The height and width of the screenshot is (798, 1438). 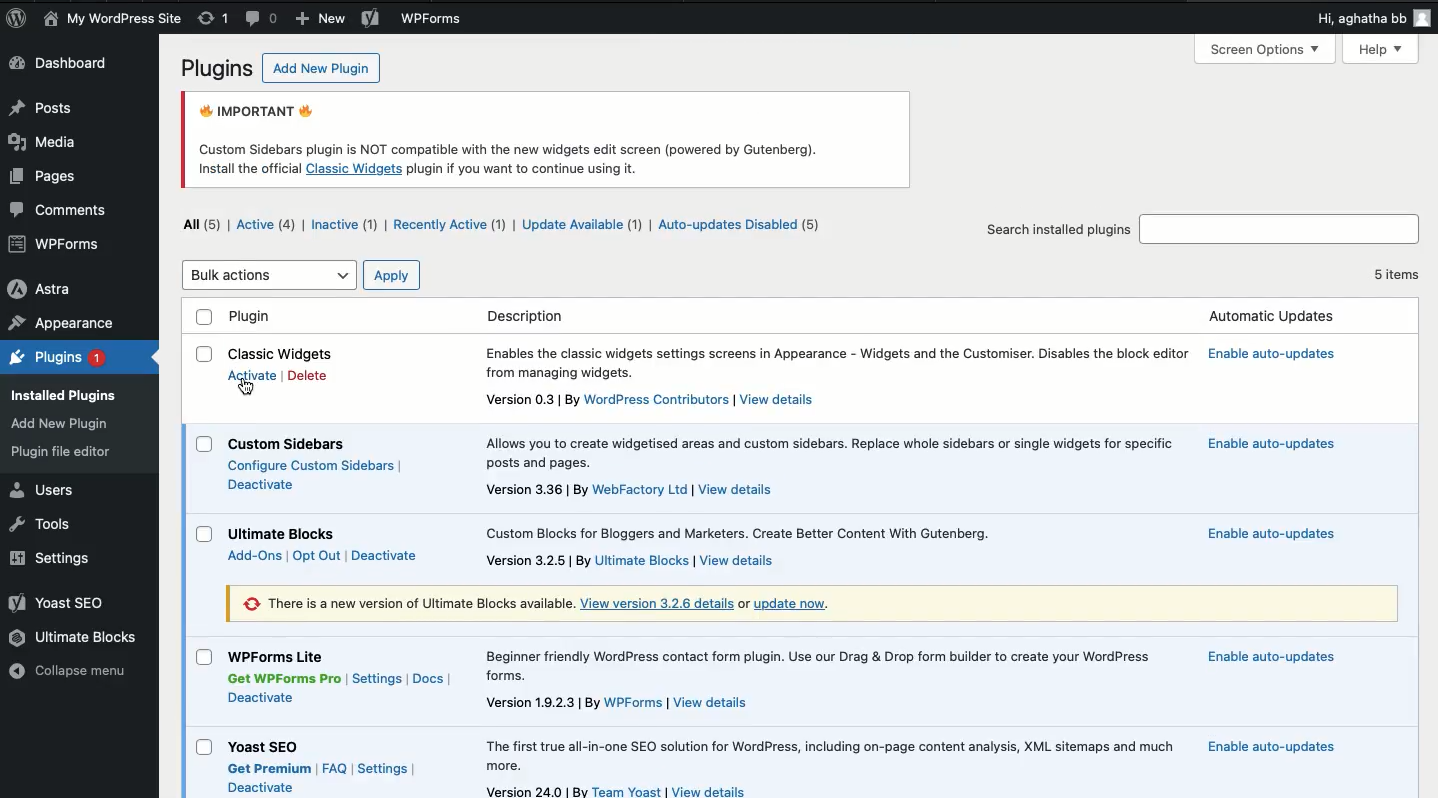 What do you see at coordinates (286, 678) in the screenshot?
I see `Get WPForms` at bounding box center [286, 678].